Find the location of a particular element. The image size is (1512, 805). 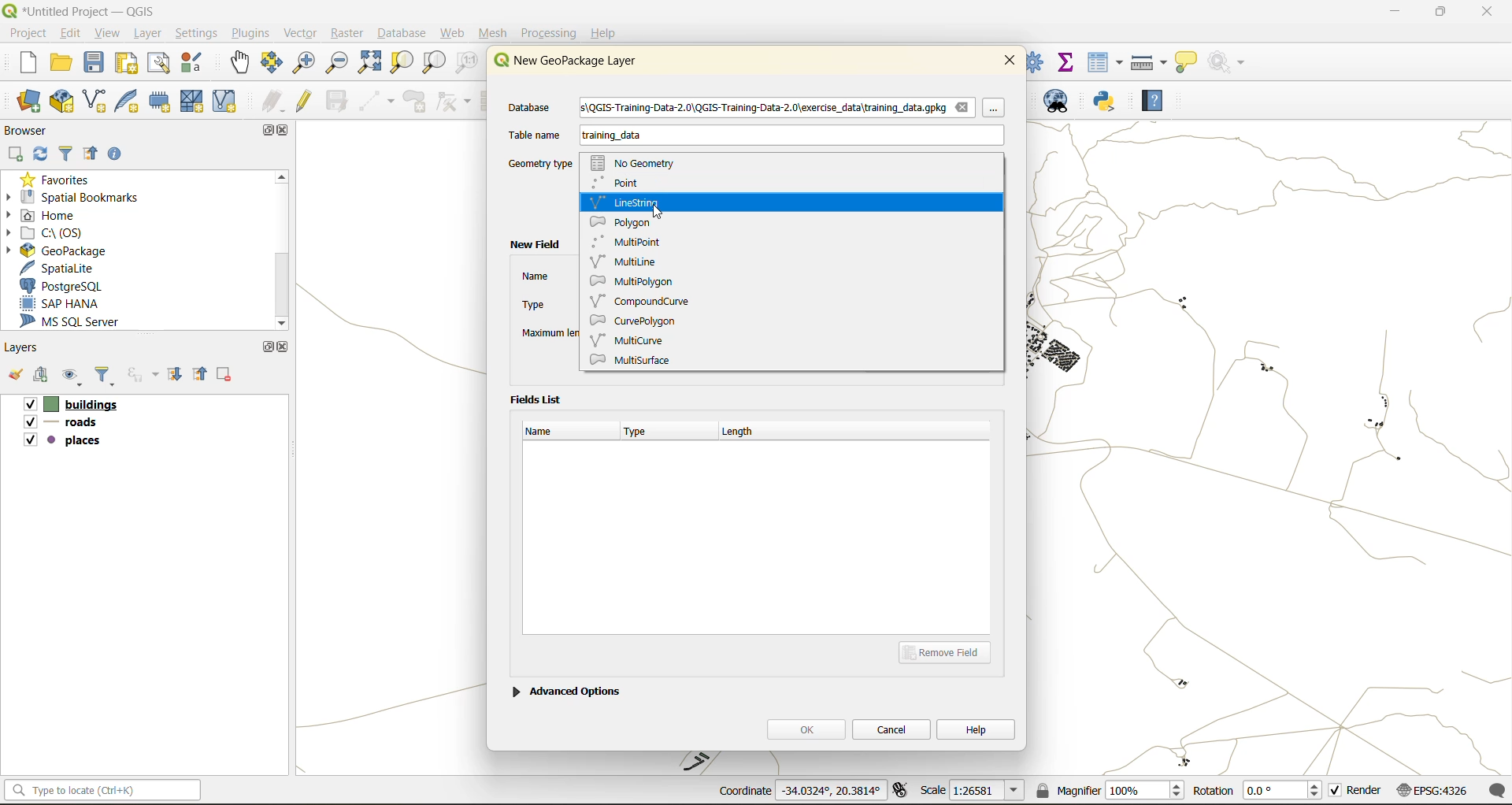

buildings is located at coordinates (69, 406).